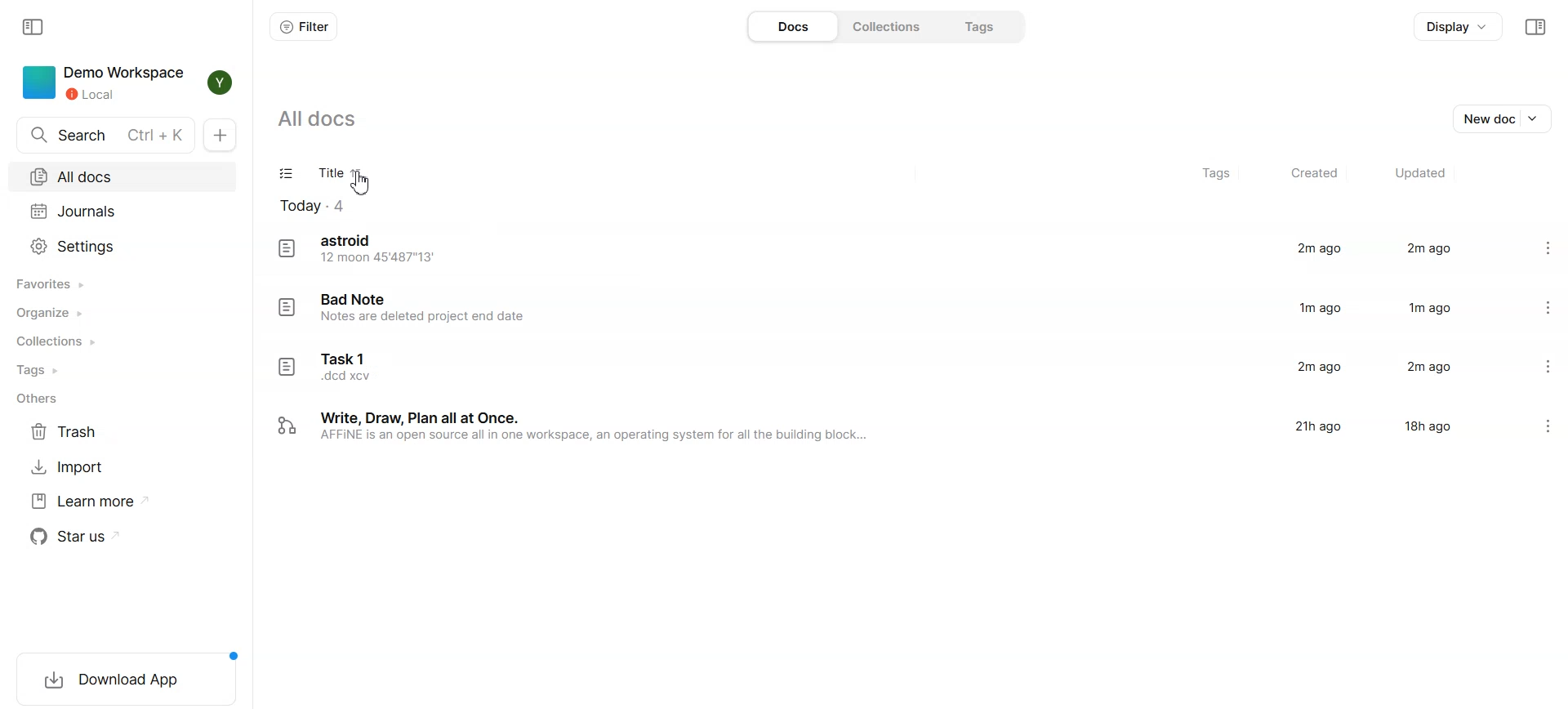  I want to click on Settings, so click(1549, 305).